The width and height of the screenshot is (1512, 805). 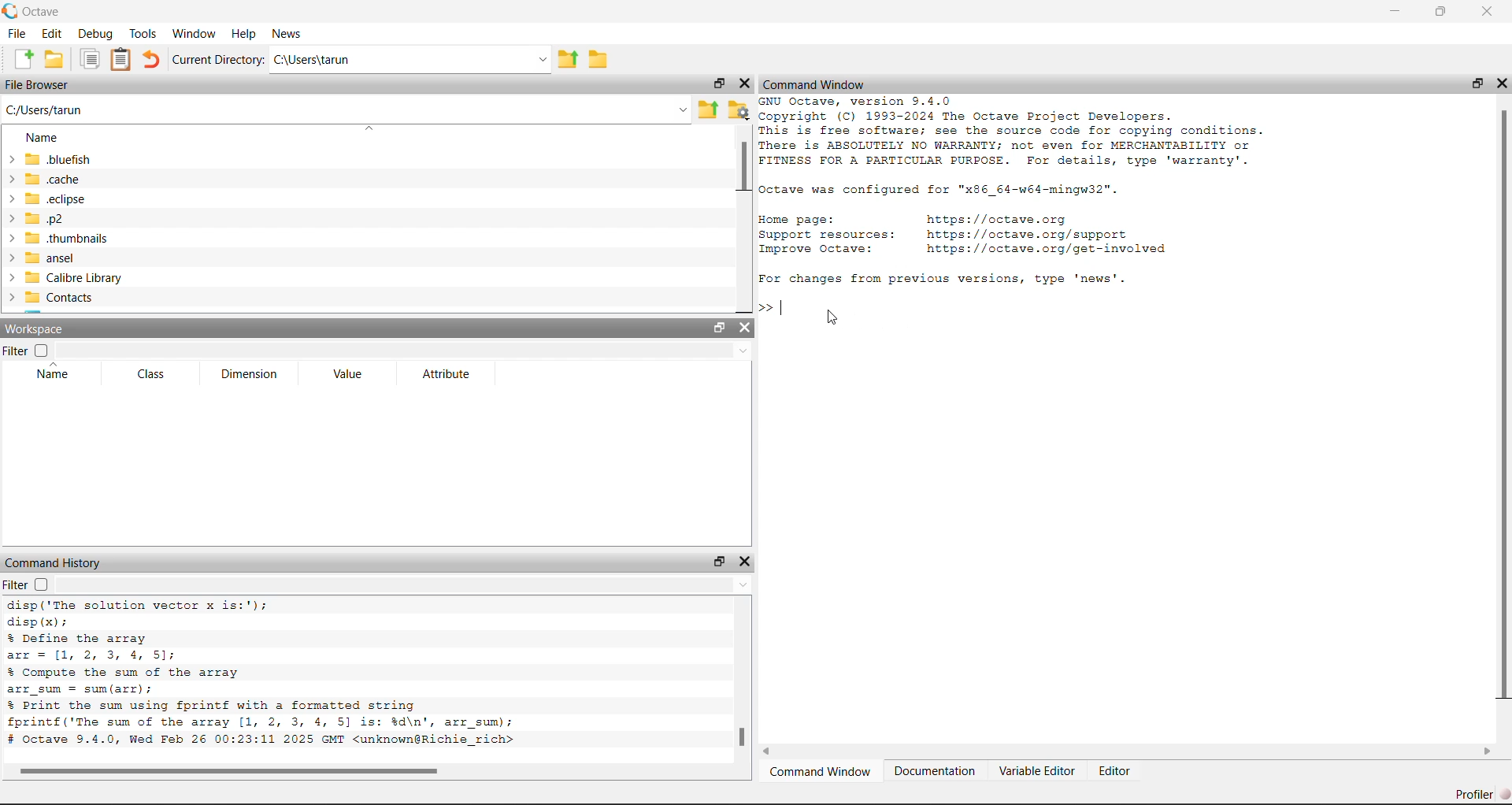 What do you see at coordinates (1117, 773) in the screenshot?
I see `Editor` at bounding box center [1117, 773].